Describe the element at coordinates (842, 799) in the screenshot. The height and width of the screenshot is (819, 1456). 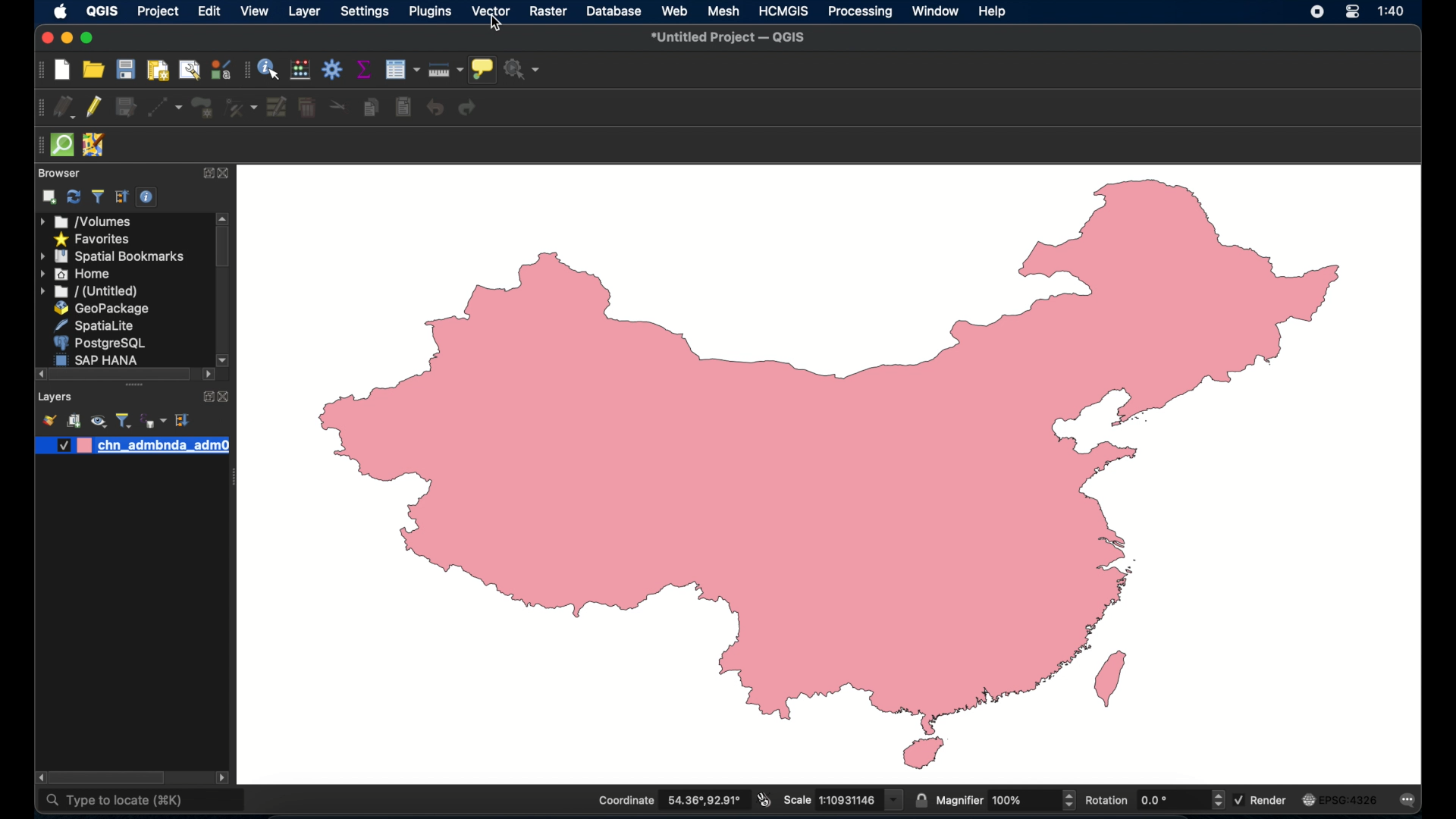
I see `scale` at that location.